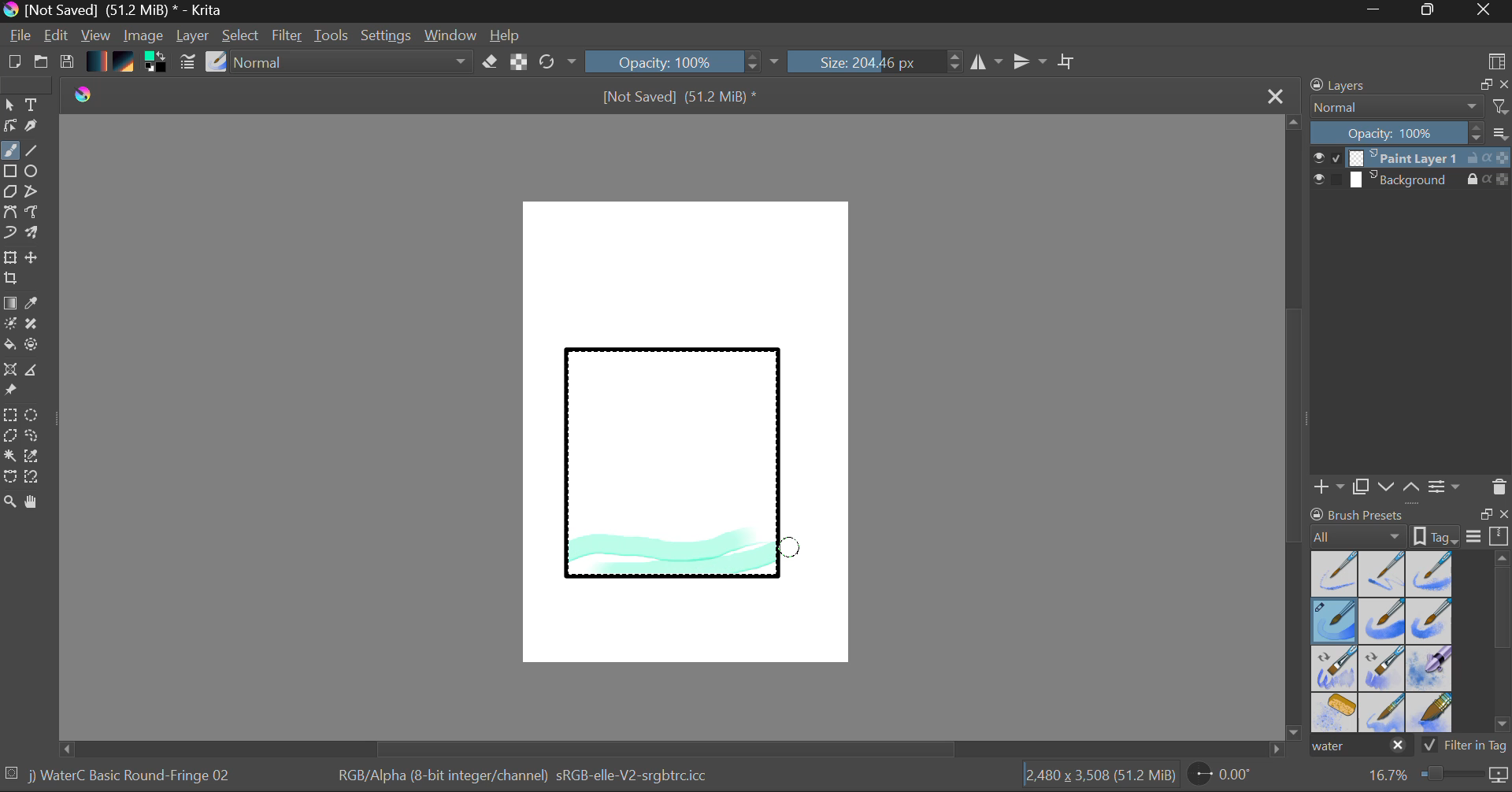  I want to click on File, so click(20, 38).